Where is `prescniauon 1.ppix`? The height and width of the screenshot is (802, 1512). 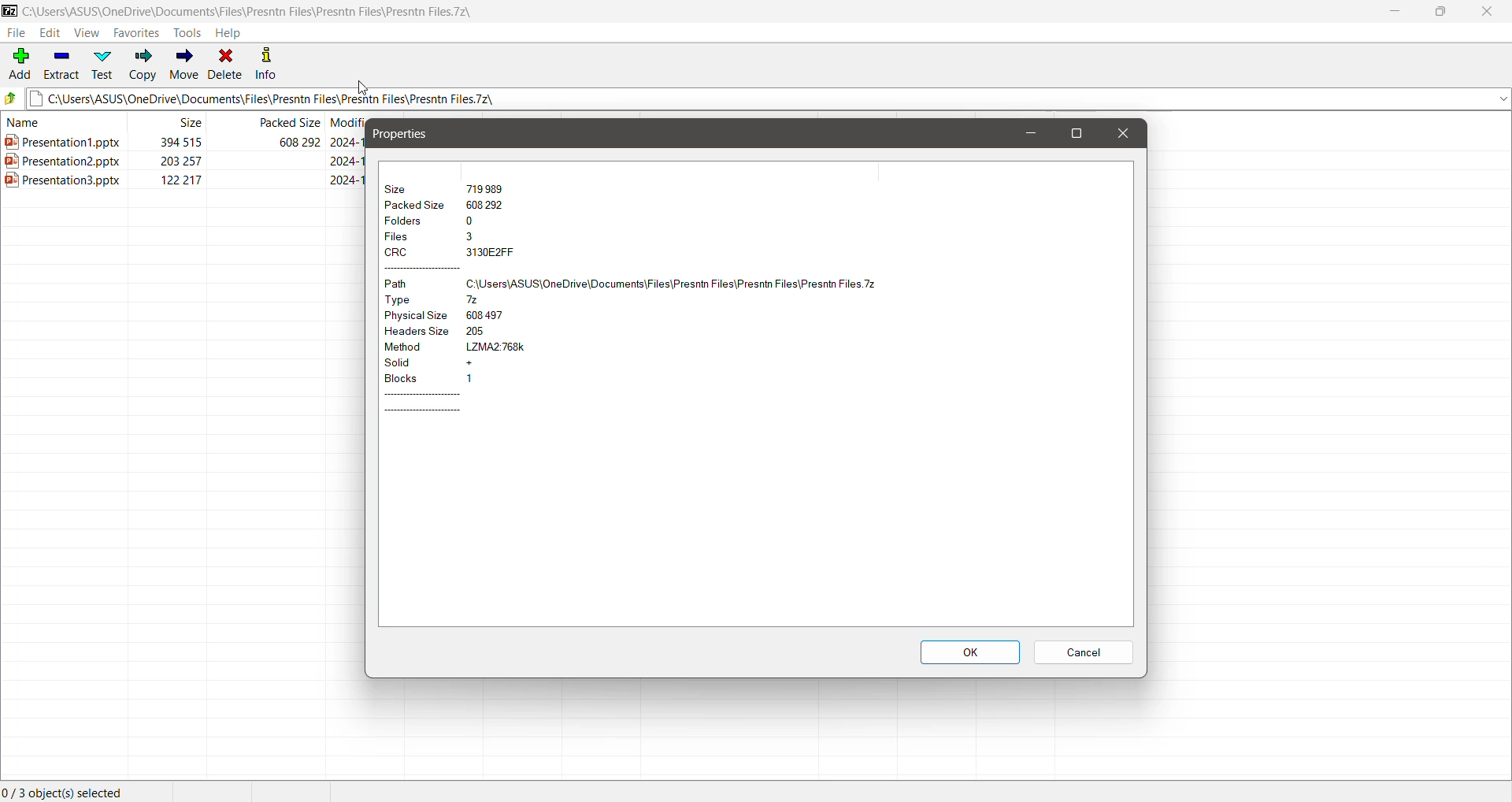 prescniauon 1.ppix is located at coordinates (68, 144).